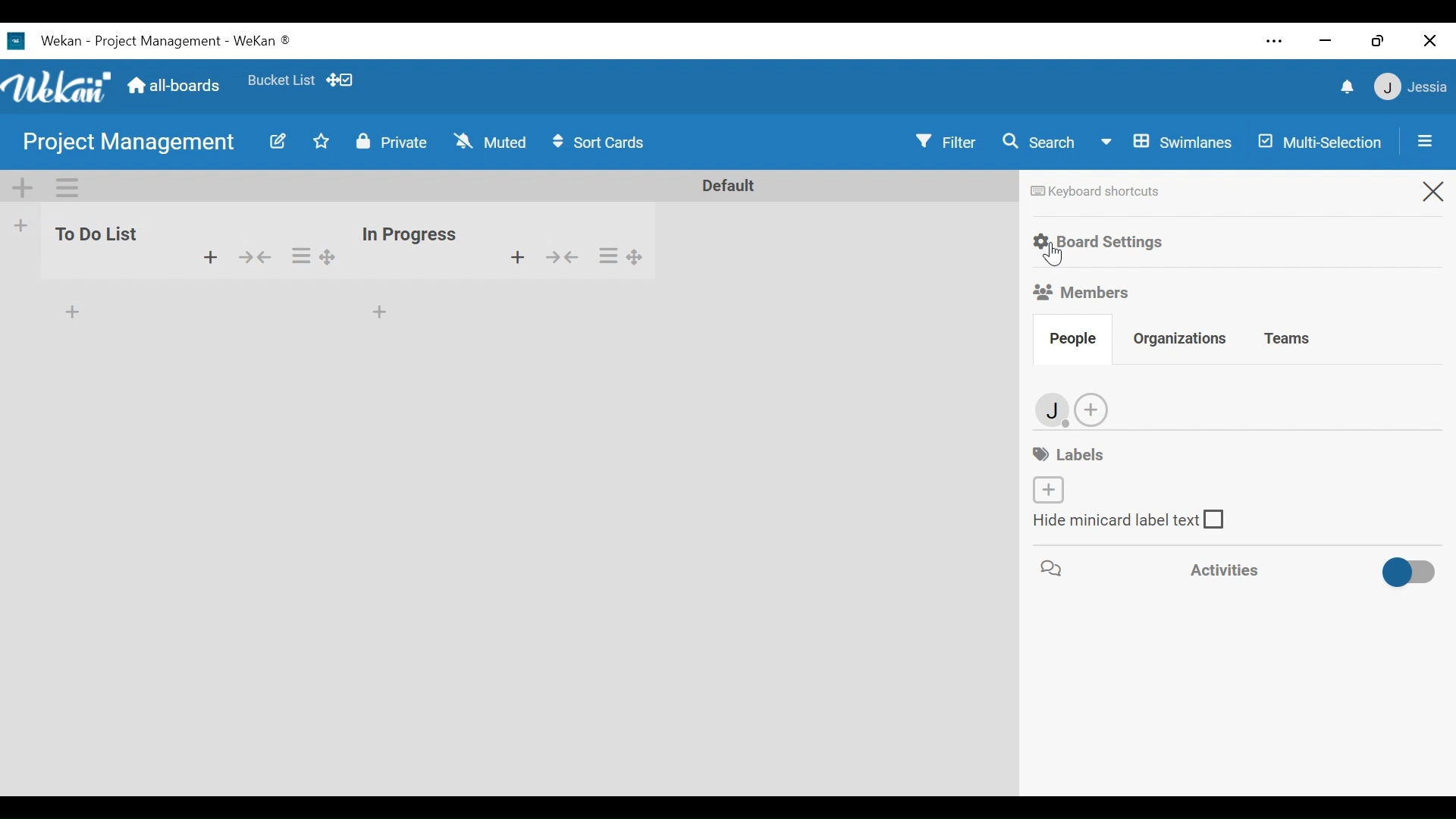 This screenshot has height=819, width=1456. What do you see at coordinates (97, 243) in the screenshot?
I see `to do list` at bounding box center [97, 243].